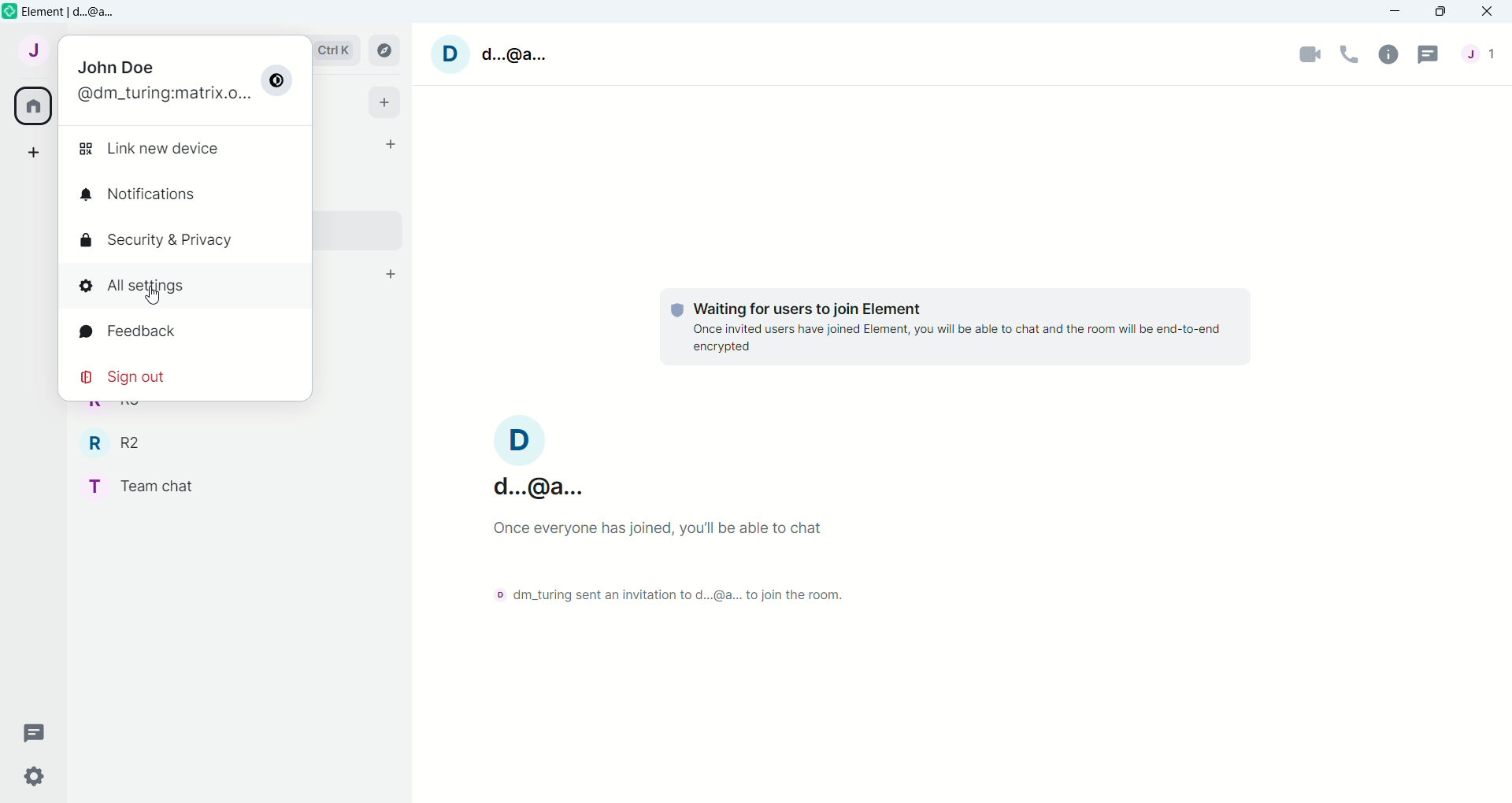 The image size is (1512, 803). I want to click on Room R2, so click(111, 442).